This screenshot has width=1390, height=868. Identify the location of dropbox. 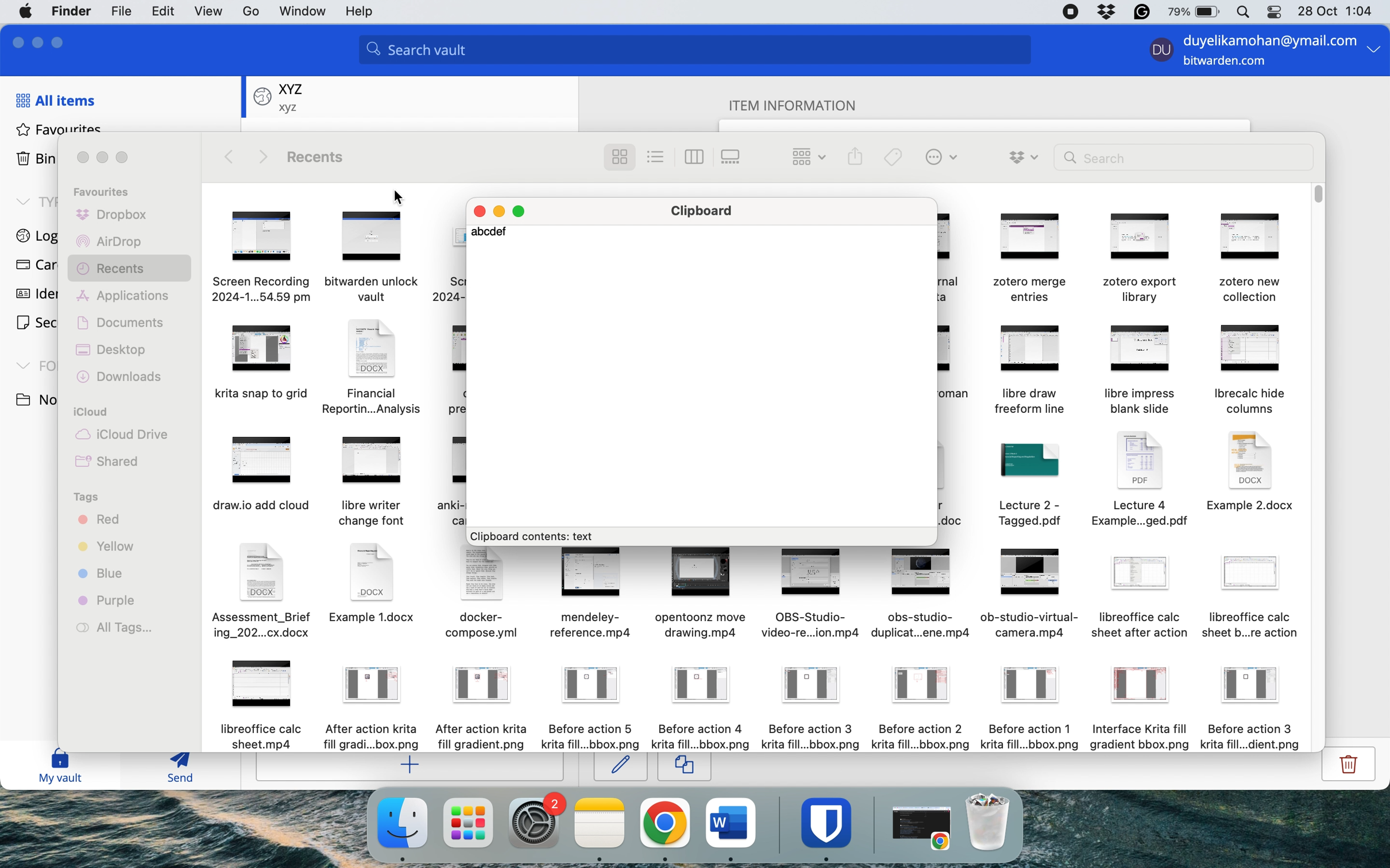
(1106, 12).